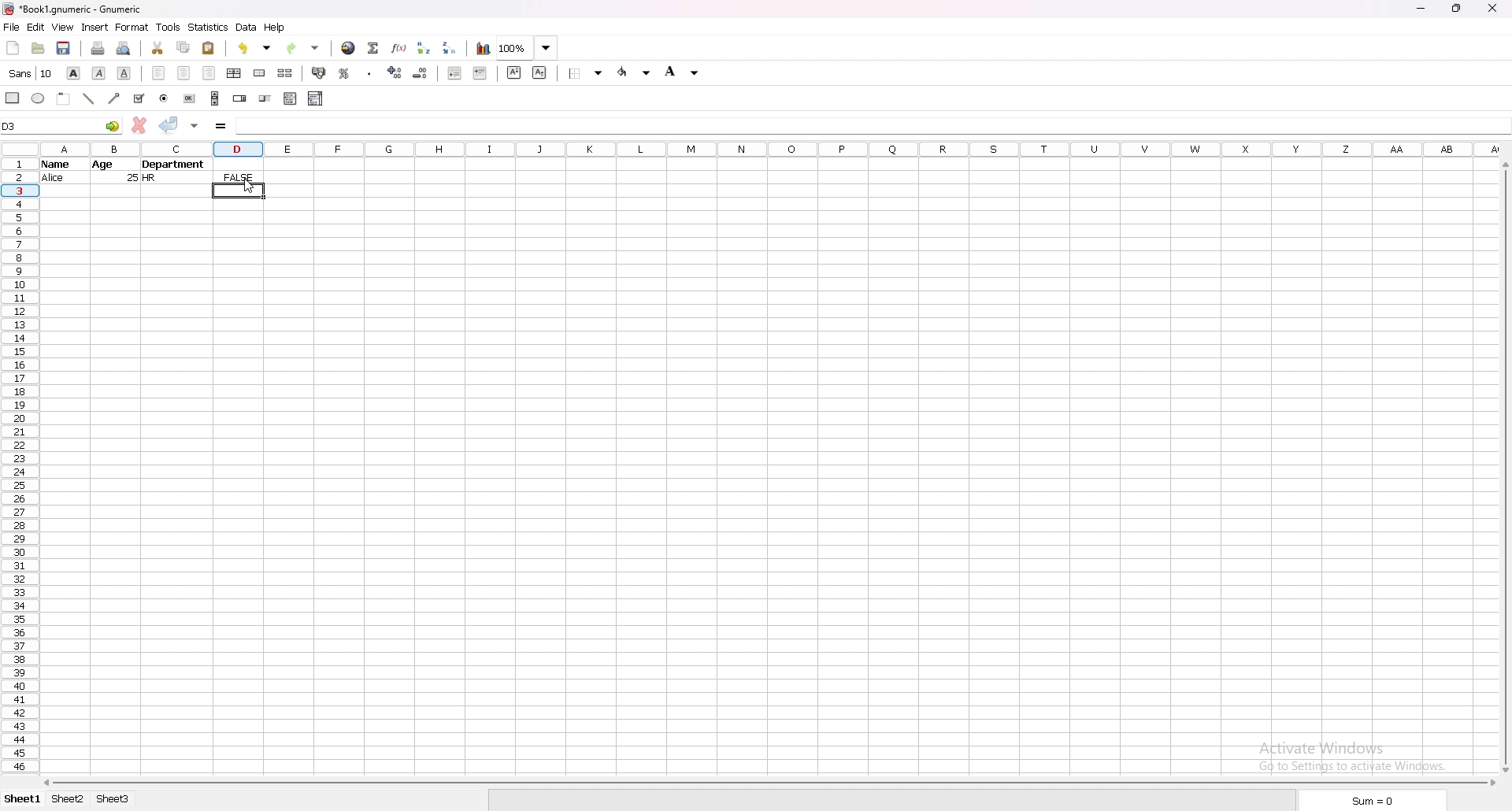 Image resolution: width=1512 pixels, height=811 pixels. What do you see at coordinates (39, 98) in the screenshot?
I see `ellipse` at bounding box center [39, 98].